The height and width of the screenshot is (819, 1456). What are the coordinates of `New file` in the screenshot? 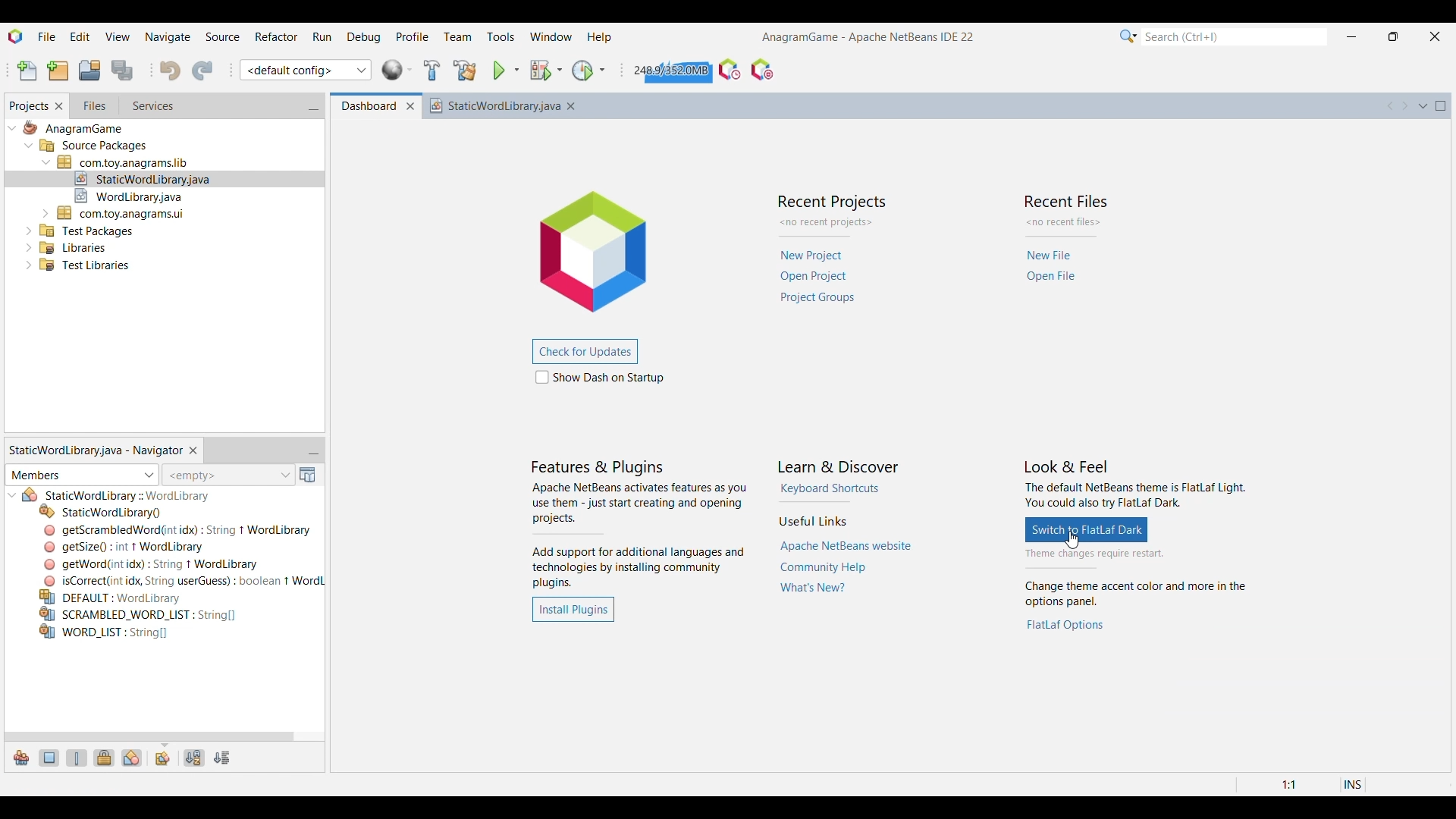 It's located at (27, 71).